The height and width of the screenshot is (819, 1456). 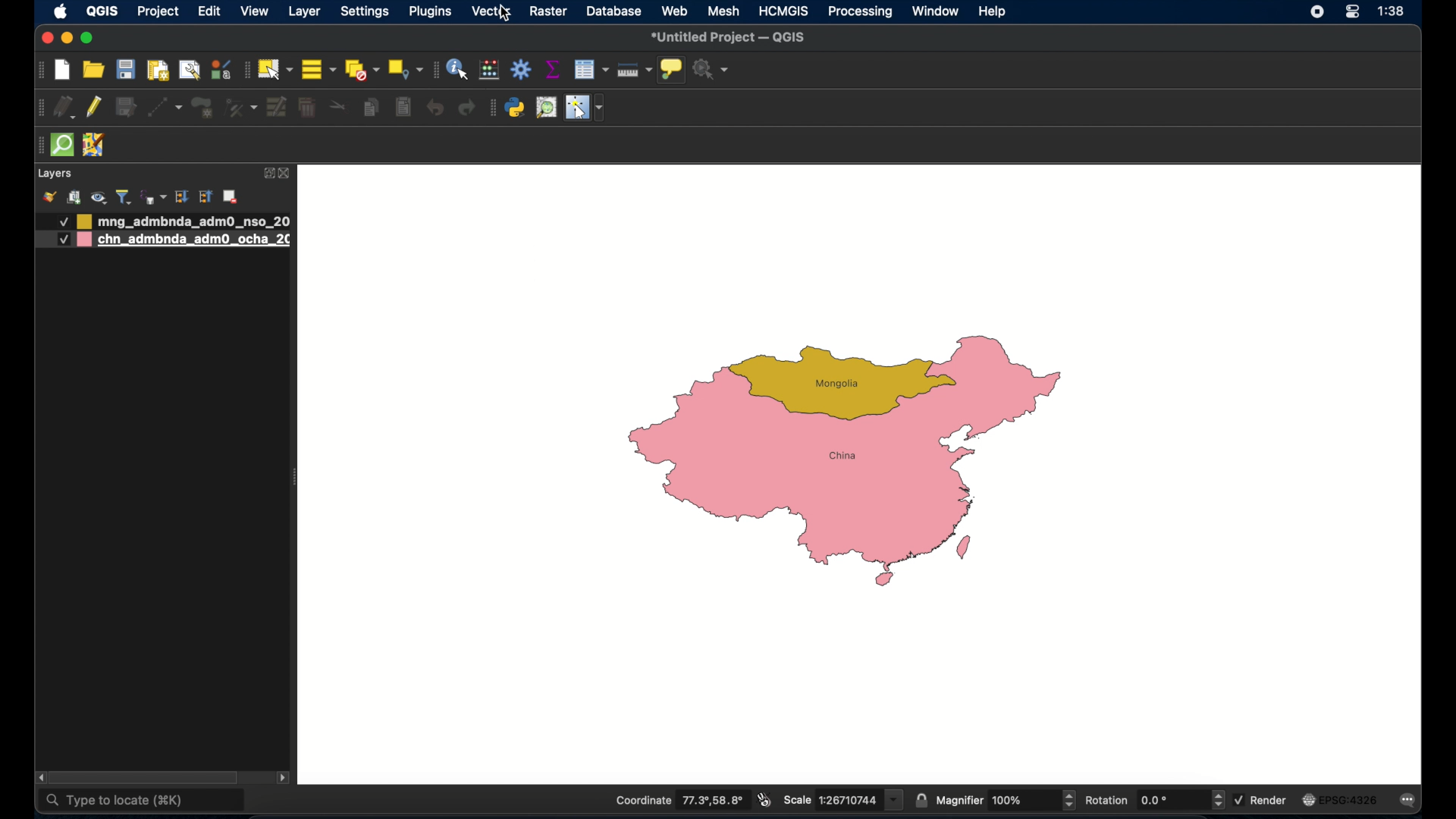 I want to click on print layout, so click(x=157, y=71).